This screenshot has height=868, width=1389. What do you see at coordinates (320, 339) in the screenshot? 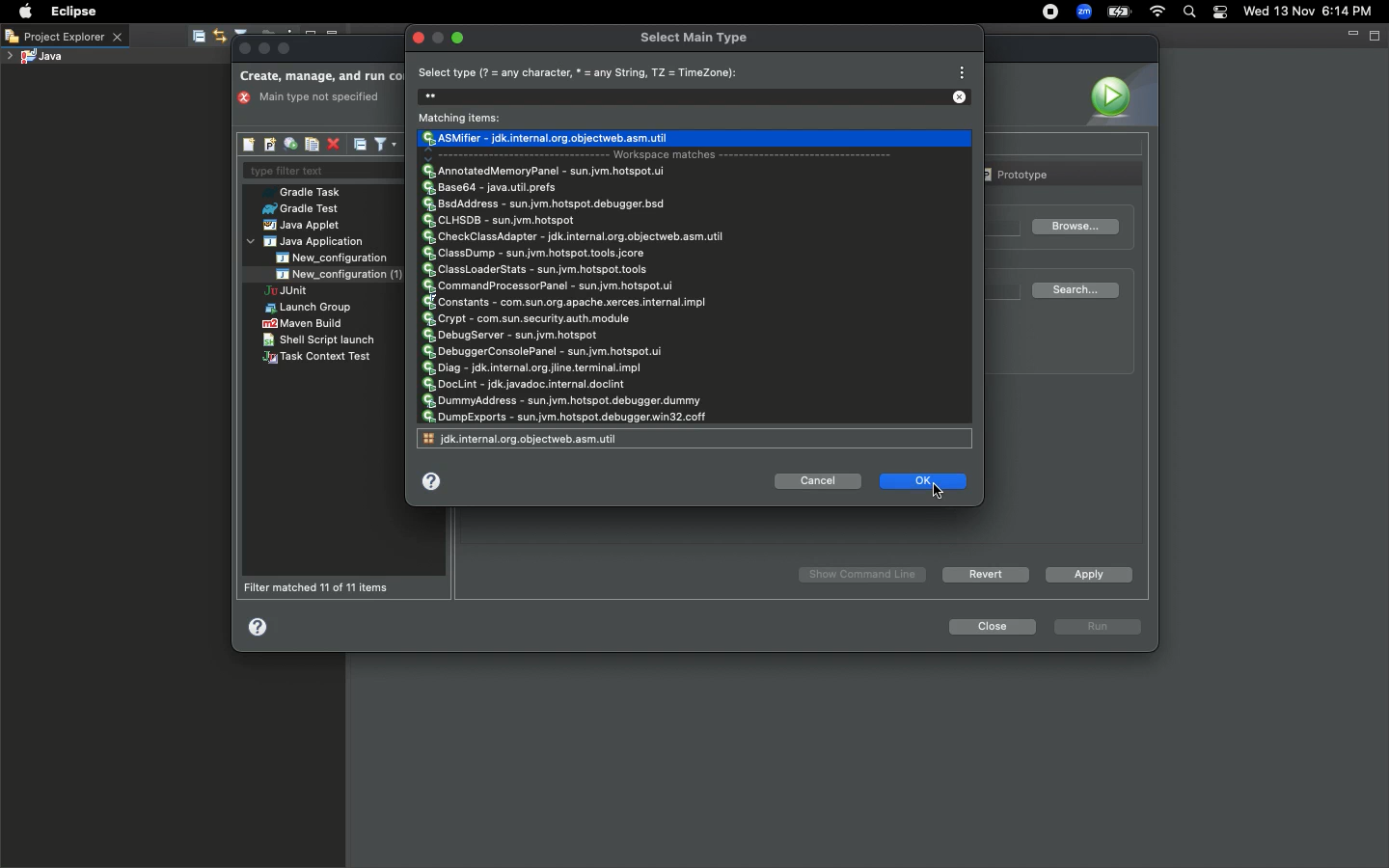
I see `Shell script launch` at bounding box center [320, 339].